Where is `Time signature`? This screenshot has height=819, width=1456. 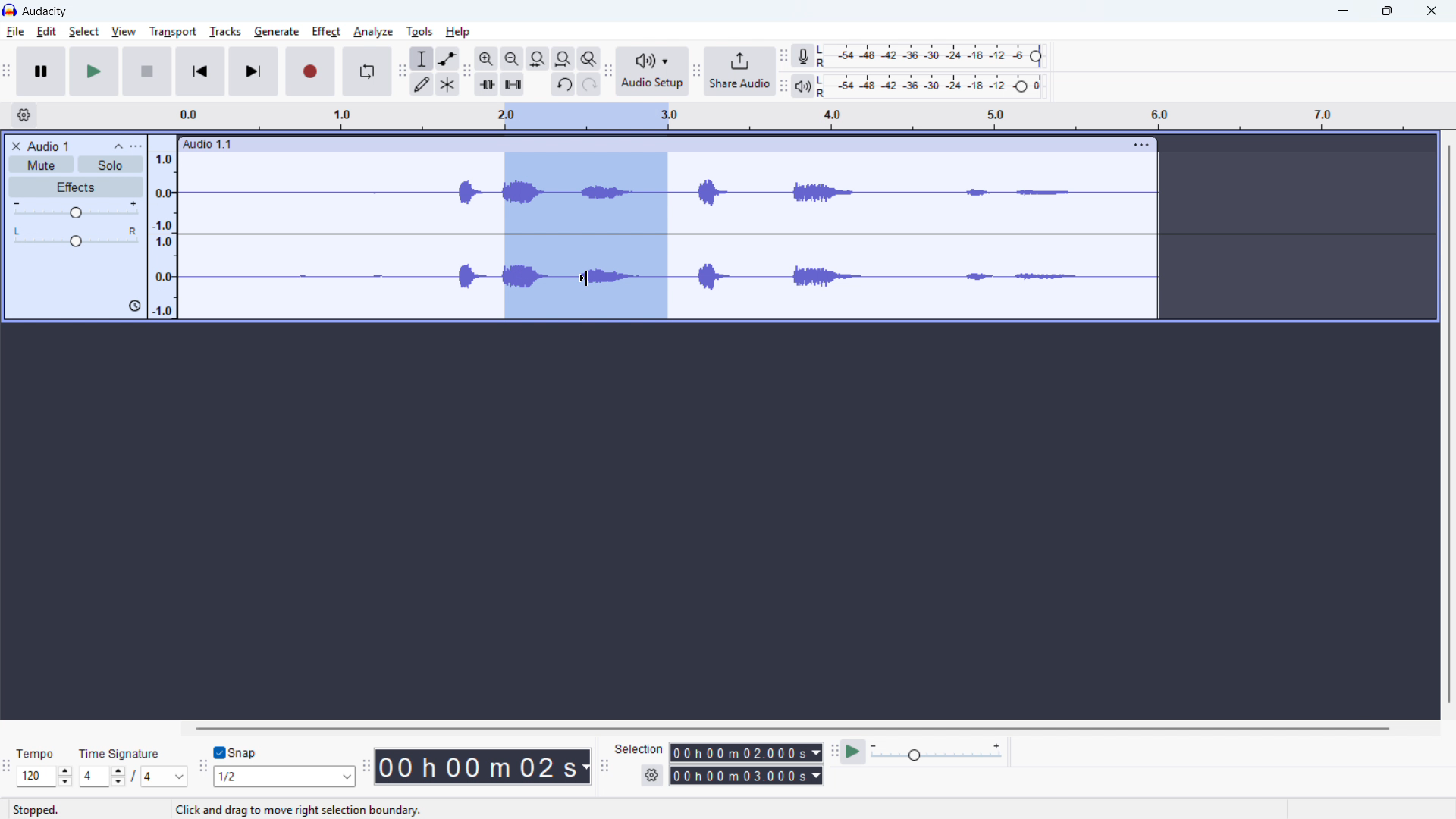
Time signature is located at coordinates (120, 752).